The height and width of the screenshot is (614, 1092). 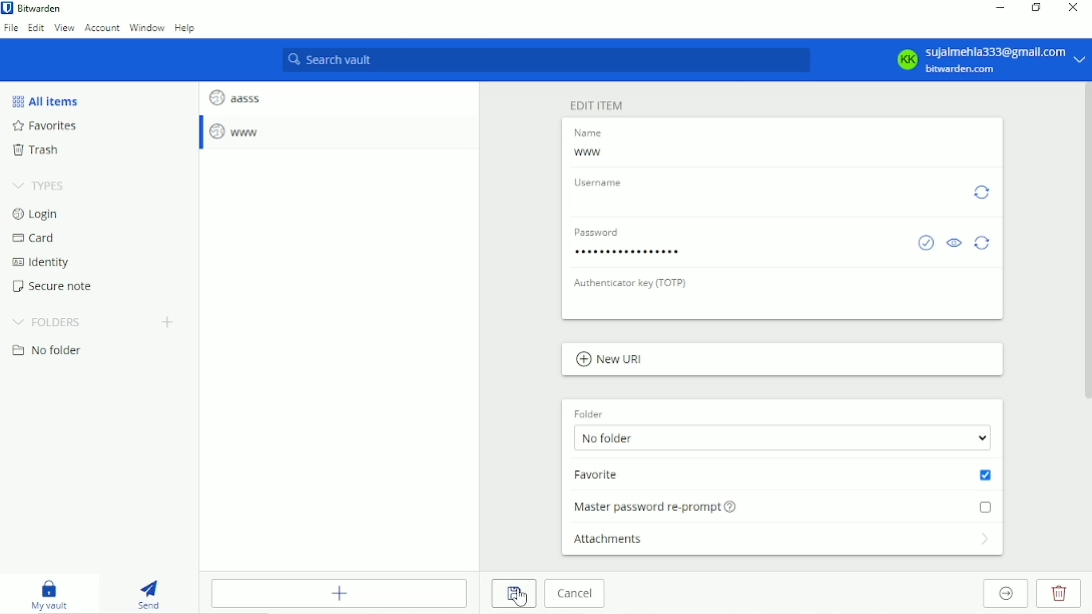 What do you see at coordinates (234, 95) in the screenshot?
I see `aasss` at bounding box center [234, 95].